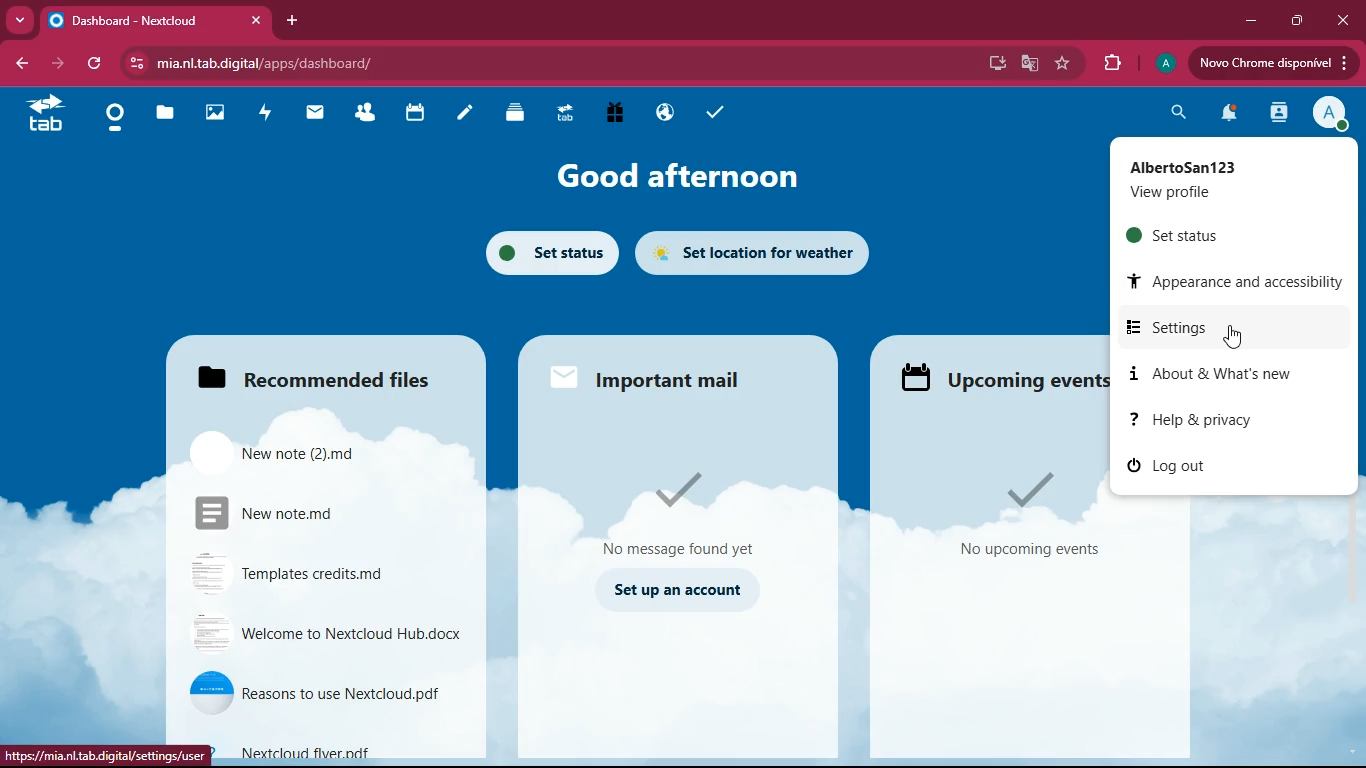  Describe the element at coordinates (994, 63) in the screenshot. I see `desktop` at that location.